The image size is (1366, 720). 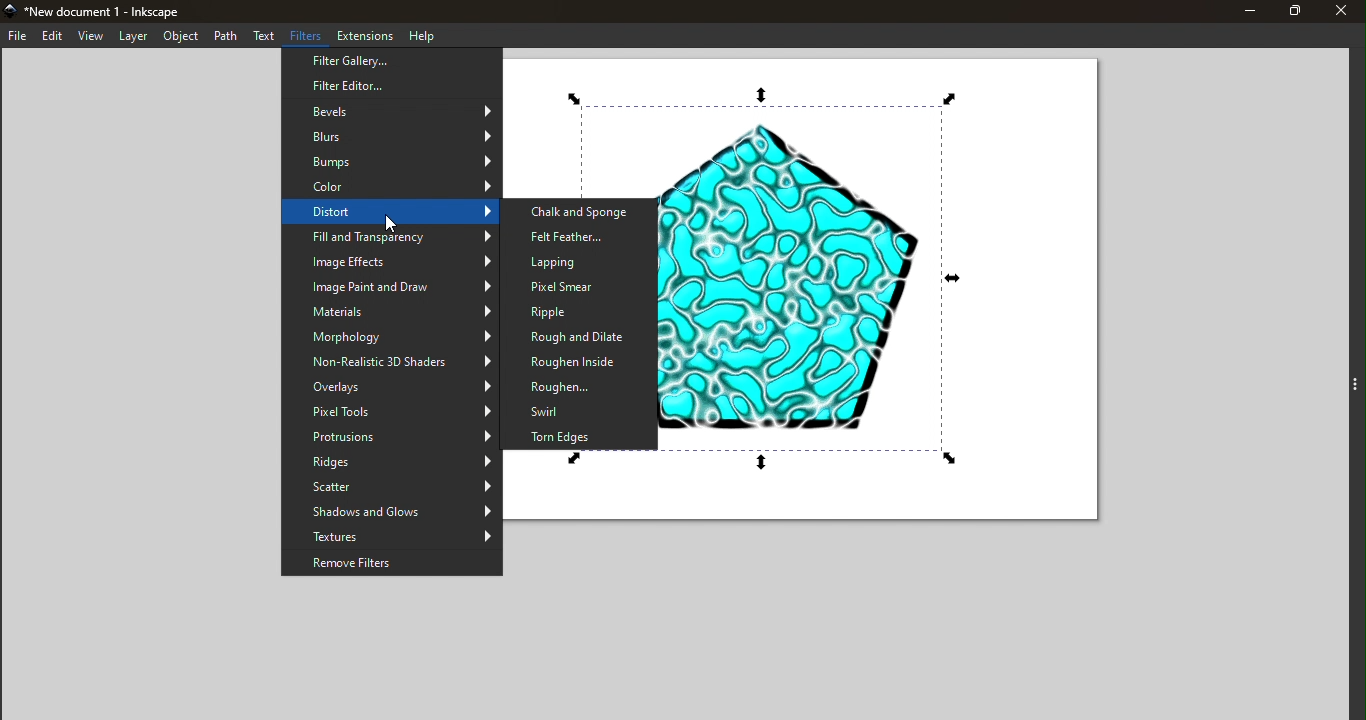 I want to click on Distort, so click(x=389, y=213).